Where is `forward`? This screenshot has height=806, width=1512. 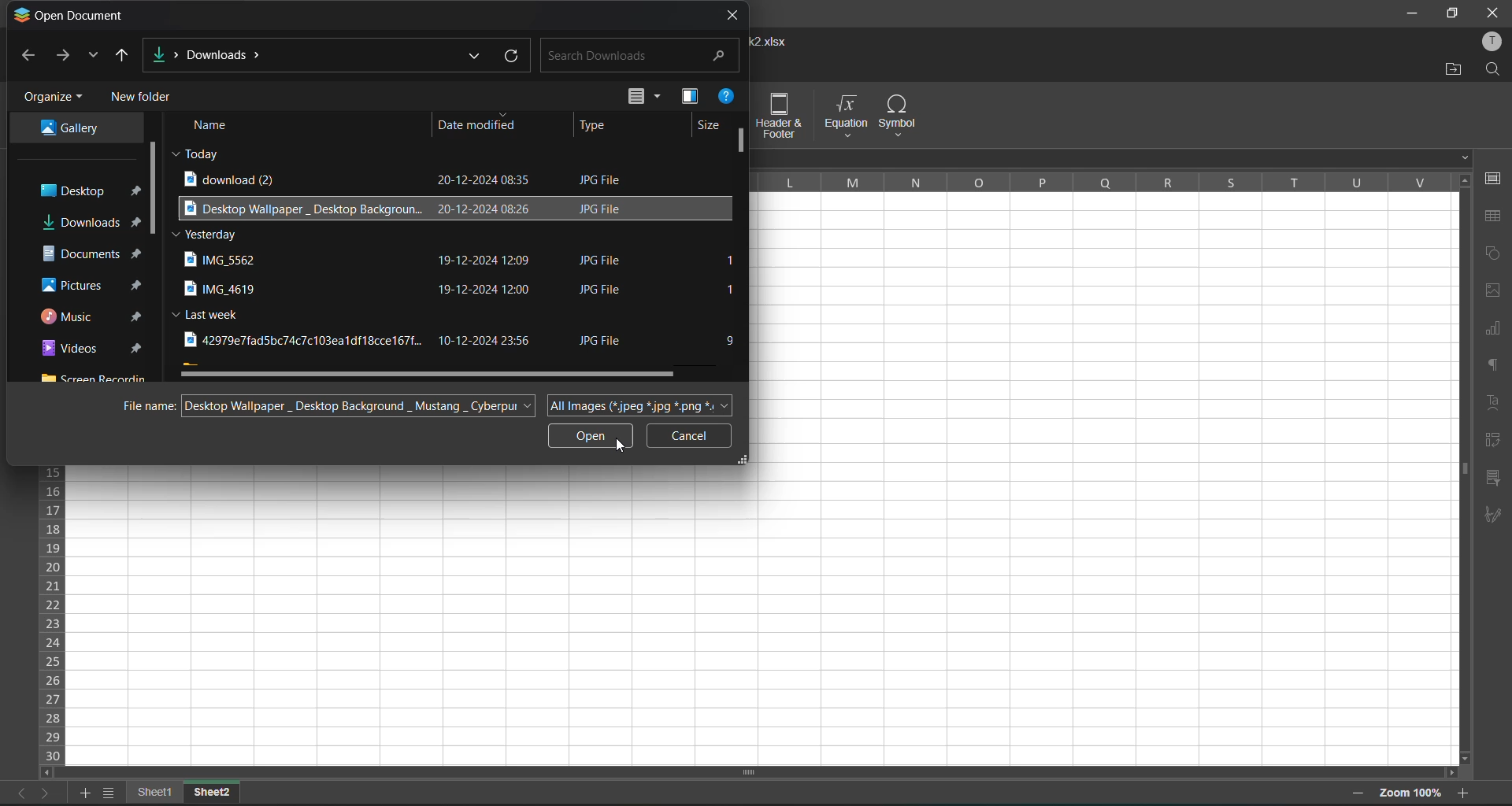 forward is located at coordinates (65, 57).